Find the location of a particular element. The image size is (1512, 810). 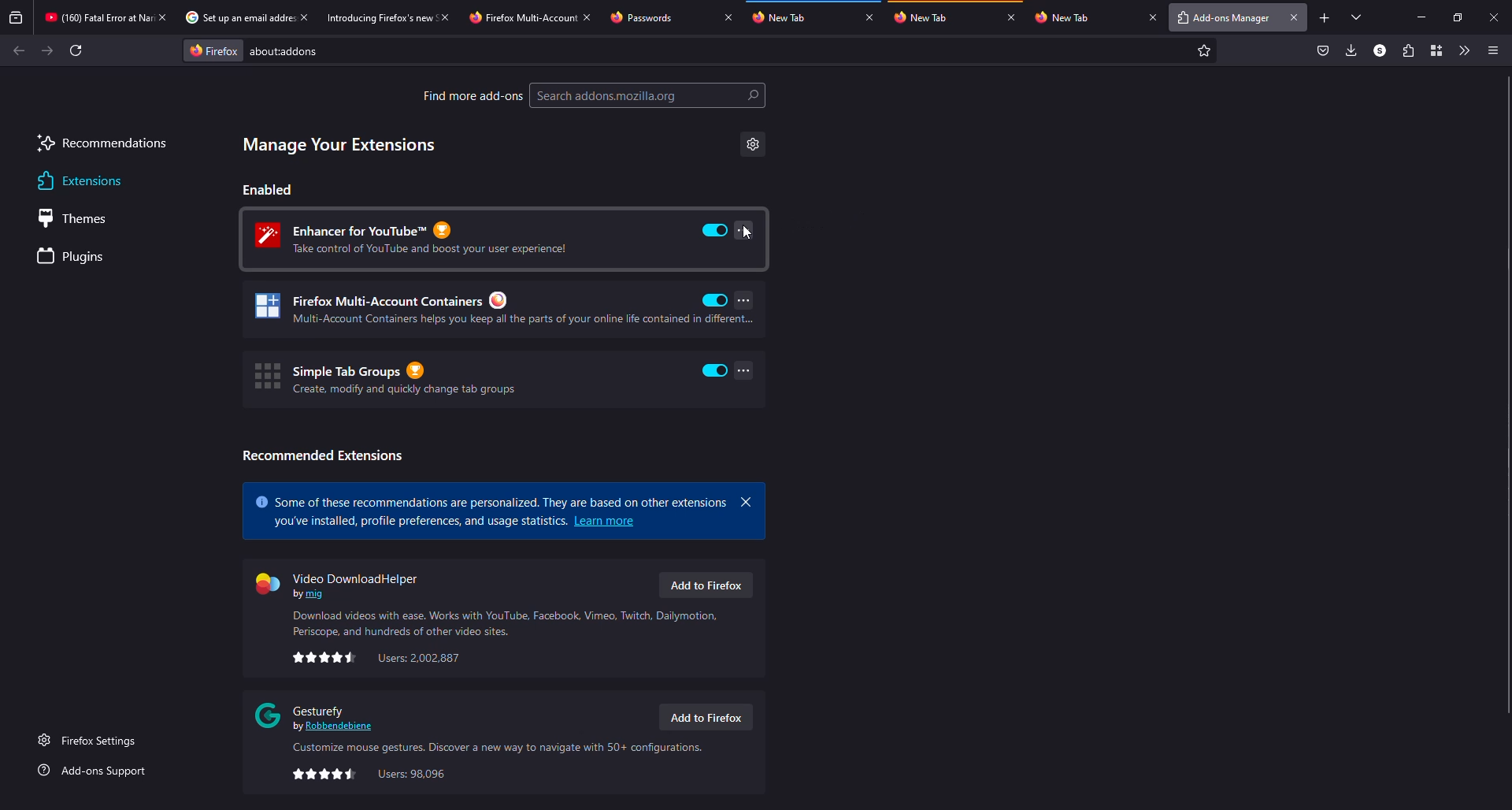

more is located at coordinates (745, 299).